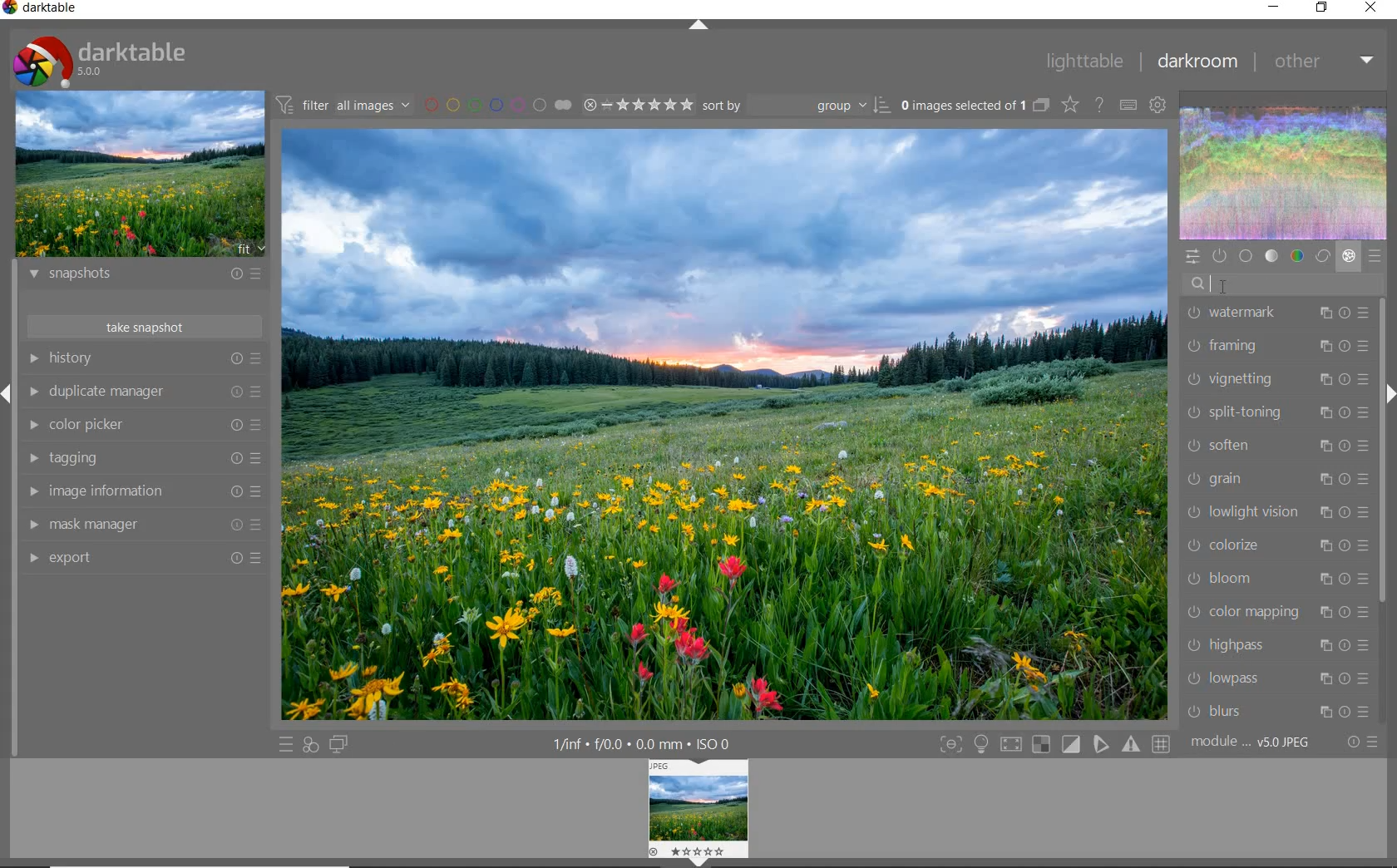 Image resolution: width=1397 pixels, height=868 pixels. Describe the element at coordinates (1086, 63) in the screenshot. I see `lighttable` at that location.